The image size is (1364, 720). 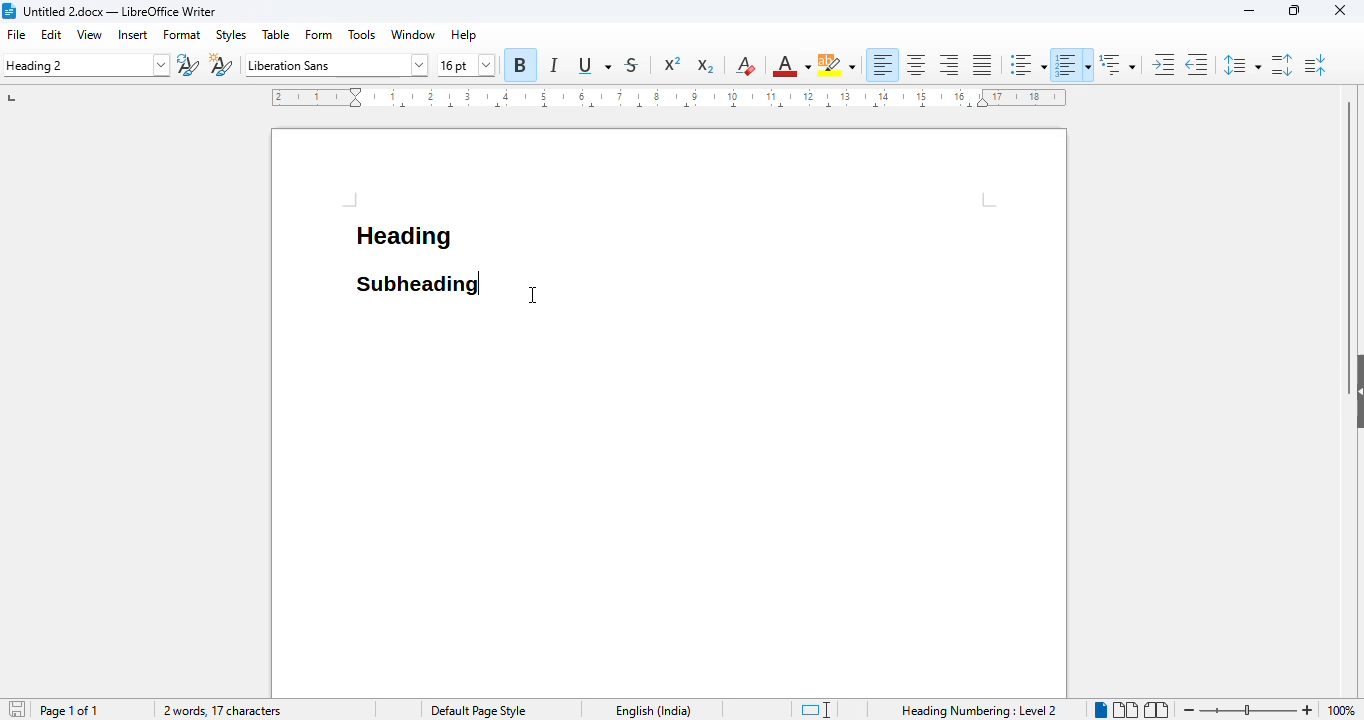 What do you see at coordinates (633, 65) in the screenshot?
I see `strikethrough` at bounding box center [633, 65].